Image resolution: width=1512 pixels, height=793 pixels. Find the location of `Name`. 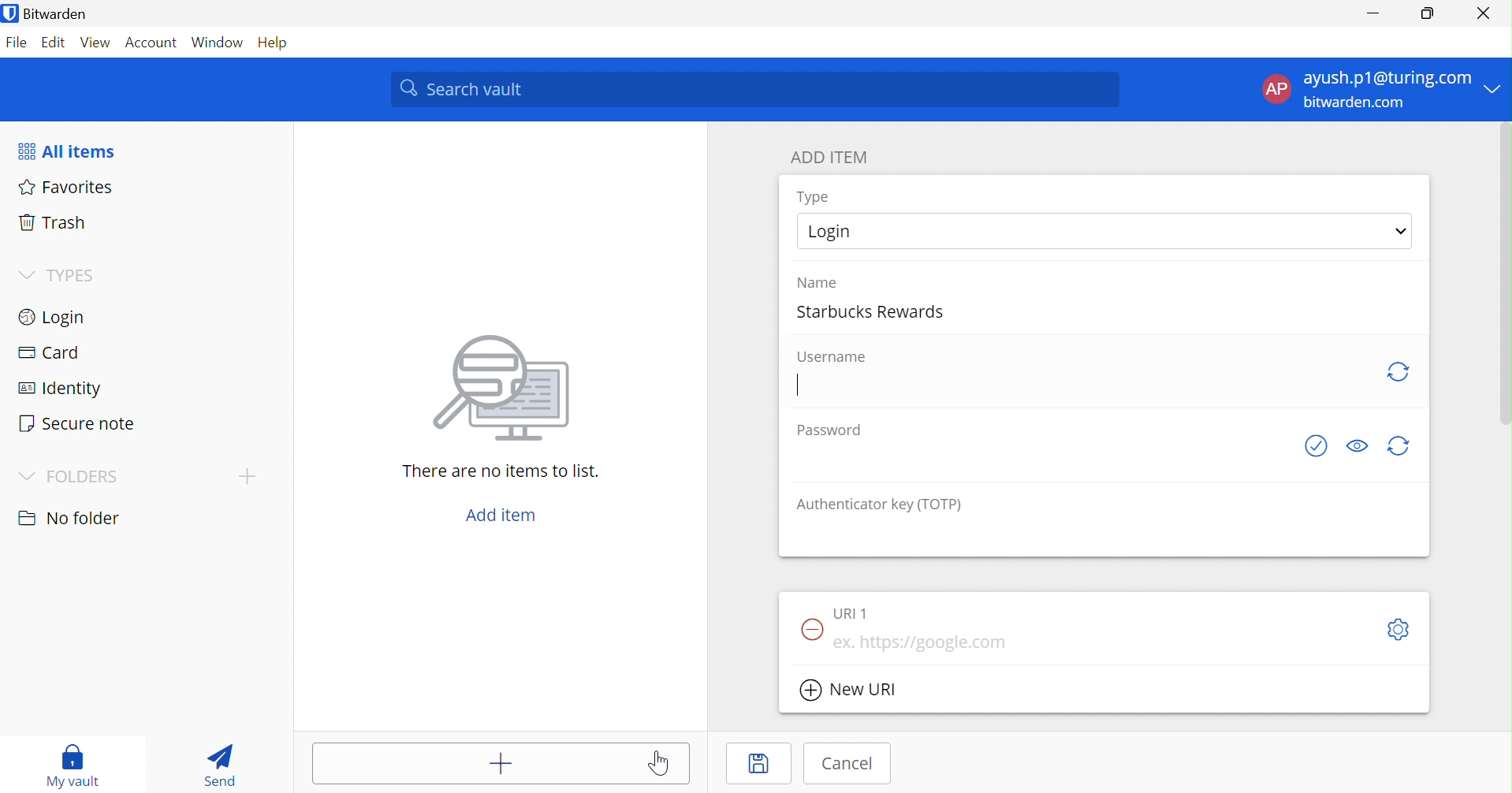

Name is located at coordinates (817, 281).